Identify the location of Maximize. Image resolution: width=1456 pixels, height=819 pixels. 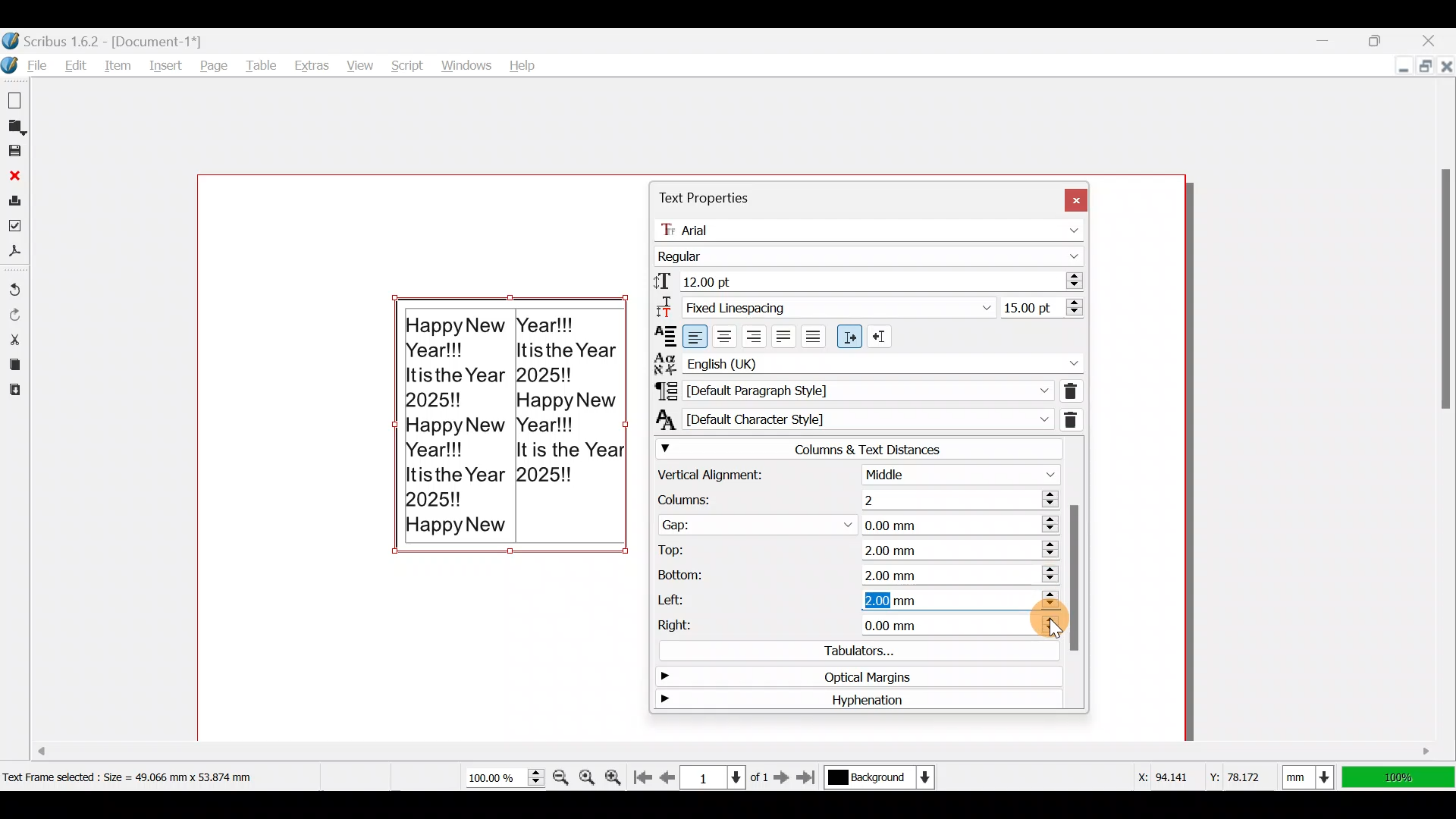
(1425, 68).